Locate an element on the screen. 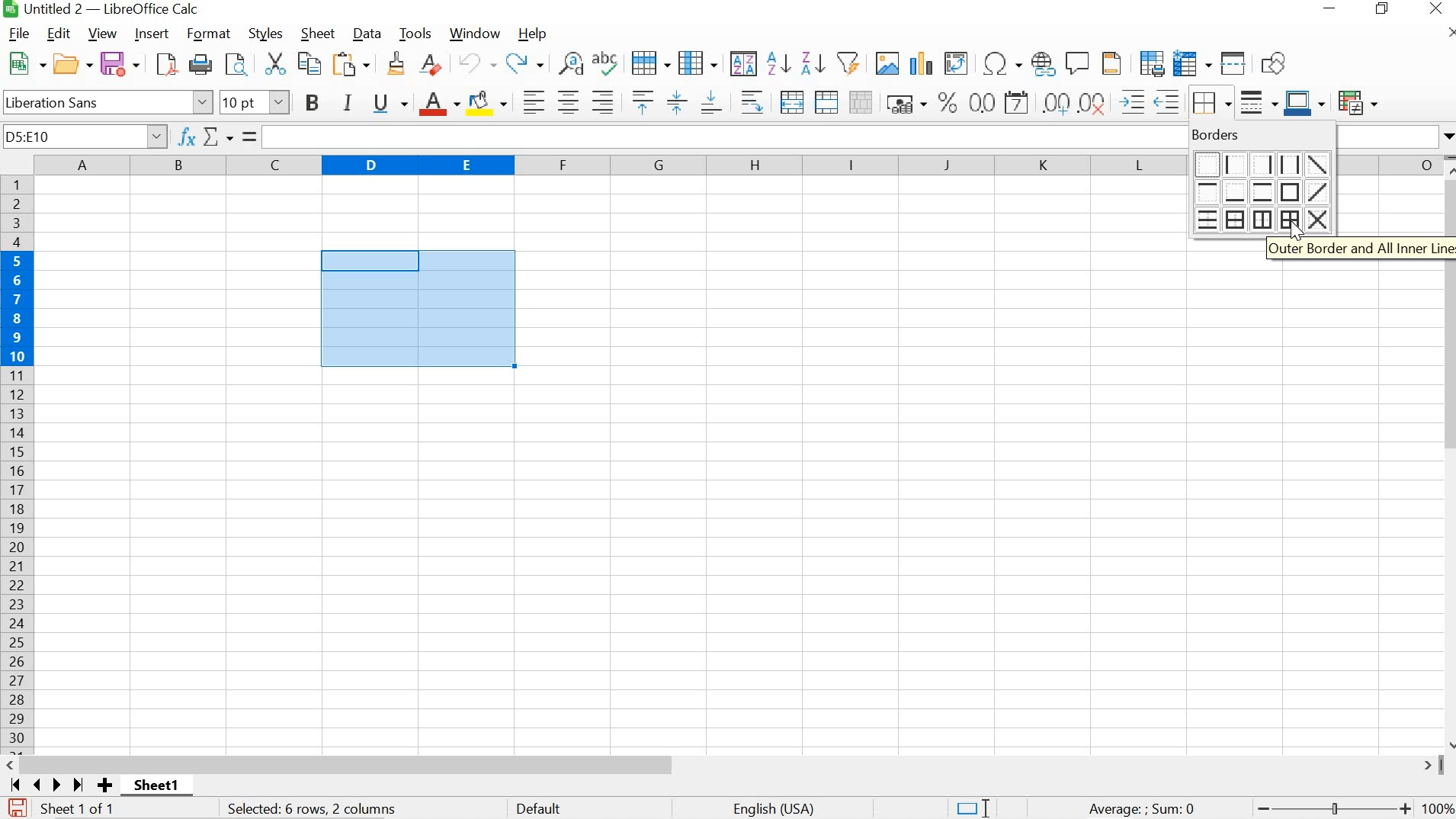 The width and height of the screenshot is (1456, 819). SCROLLBAR is located at coordinates (1447, 453).